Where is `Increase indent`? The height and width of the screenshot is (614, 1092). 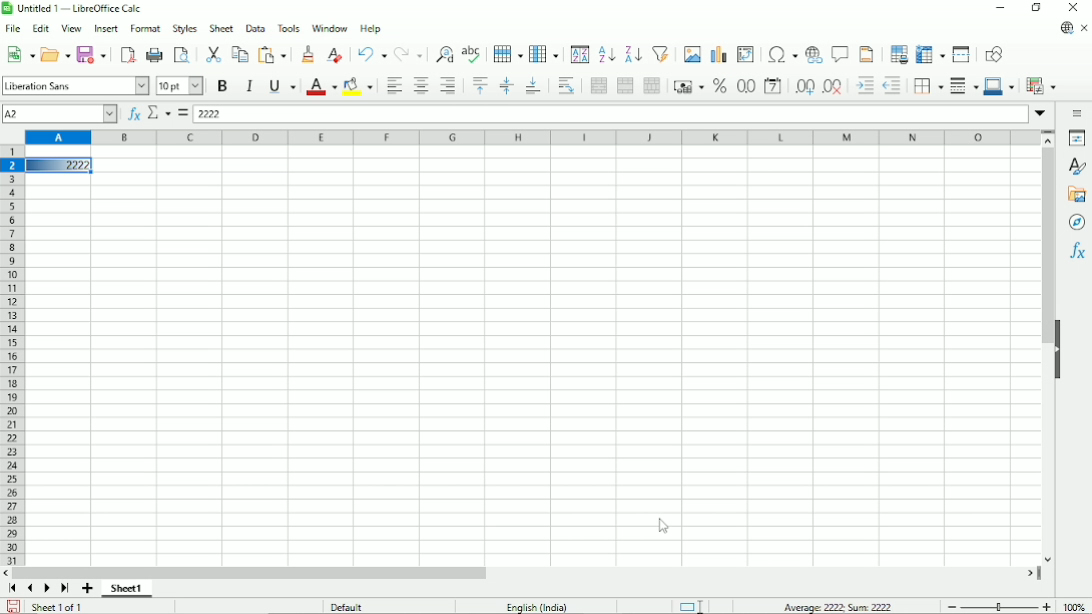 Increase indent is located at coordinates (864, 86).